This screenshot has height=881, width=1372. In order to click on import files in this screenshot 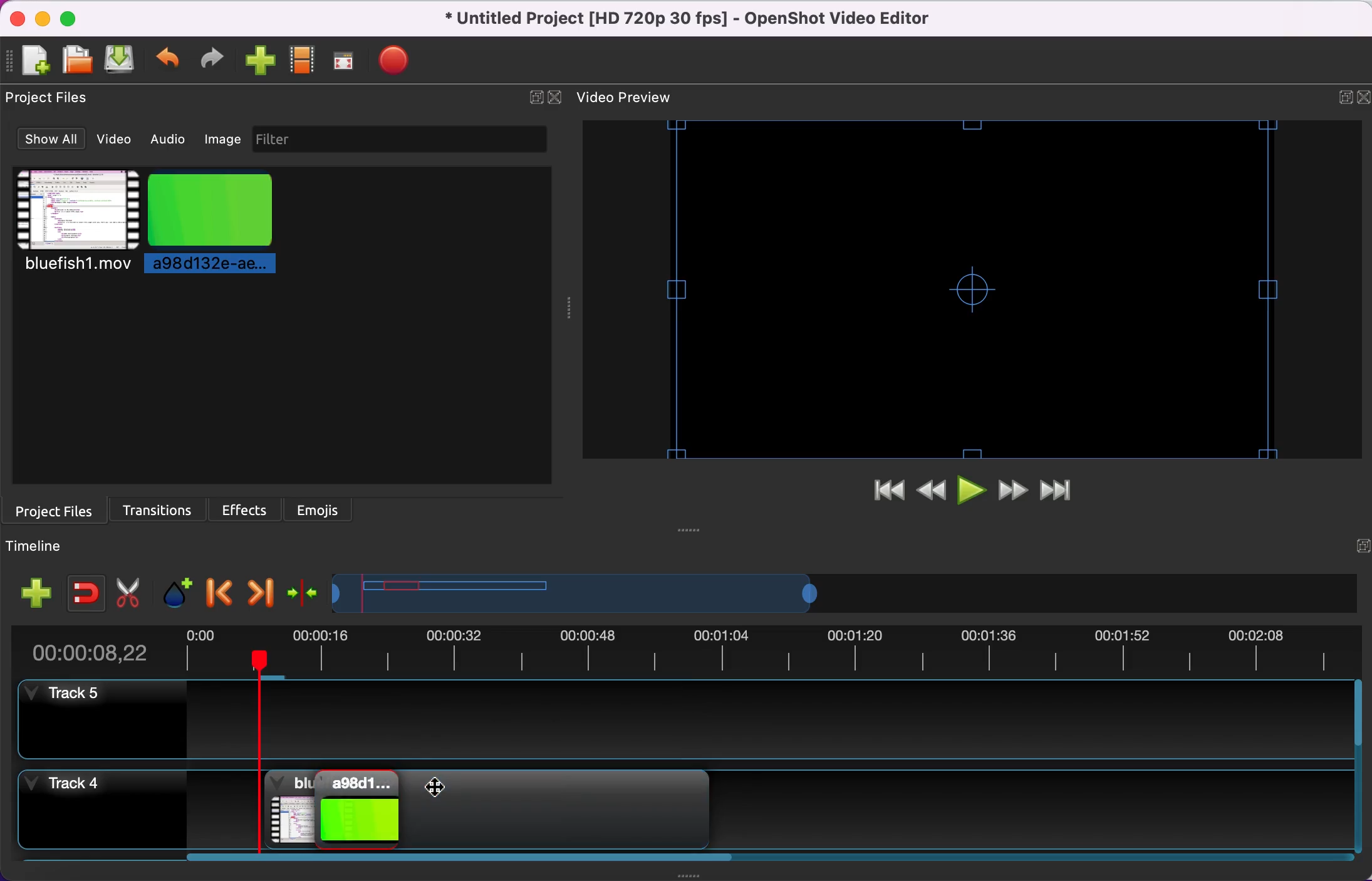, I will do `click(256, 63)`.